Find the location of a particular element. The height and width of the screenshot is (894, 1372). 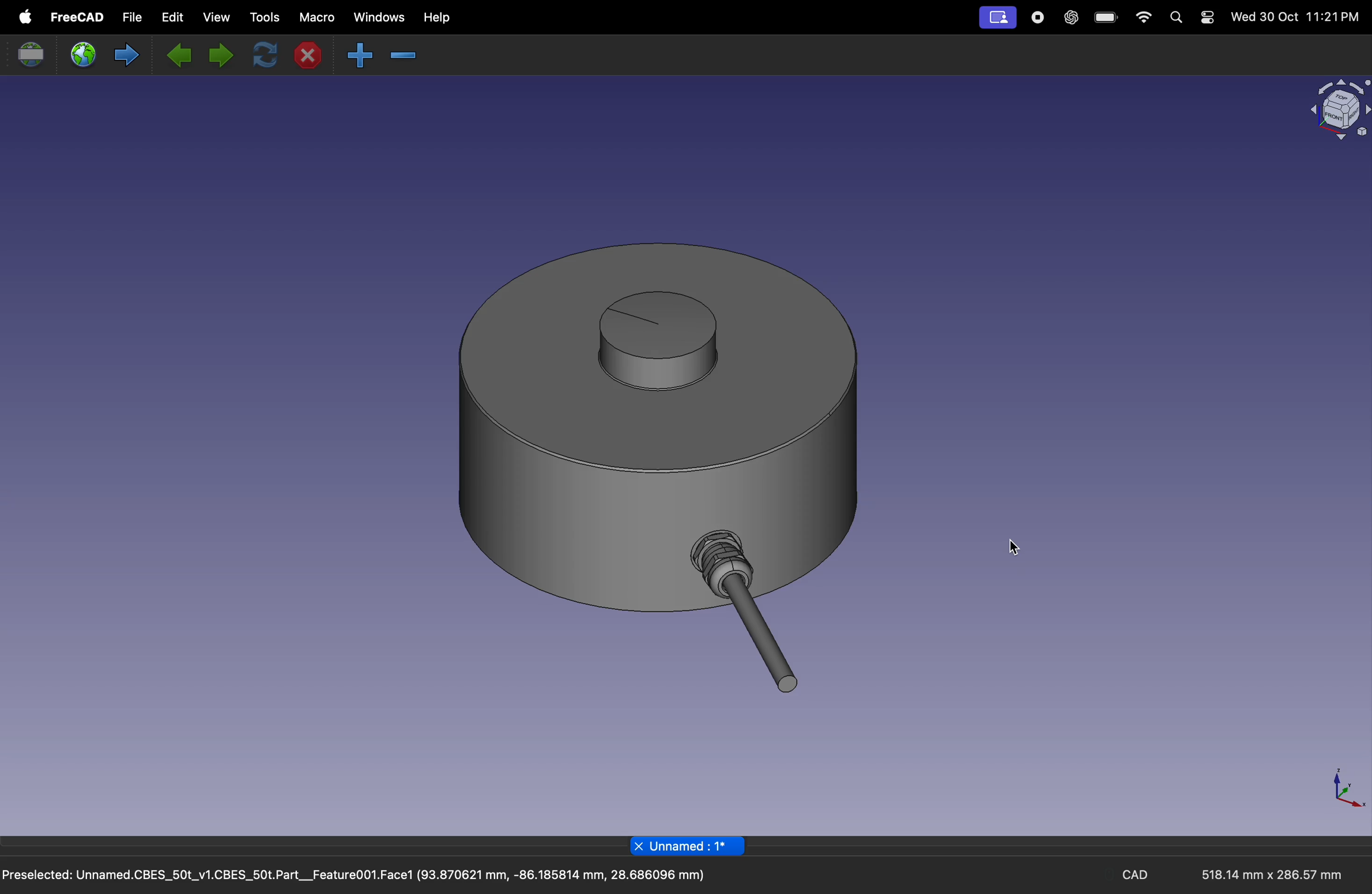

chatgpt is located at coordinates (1068, 18).